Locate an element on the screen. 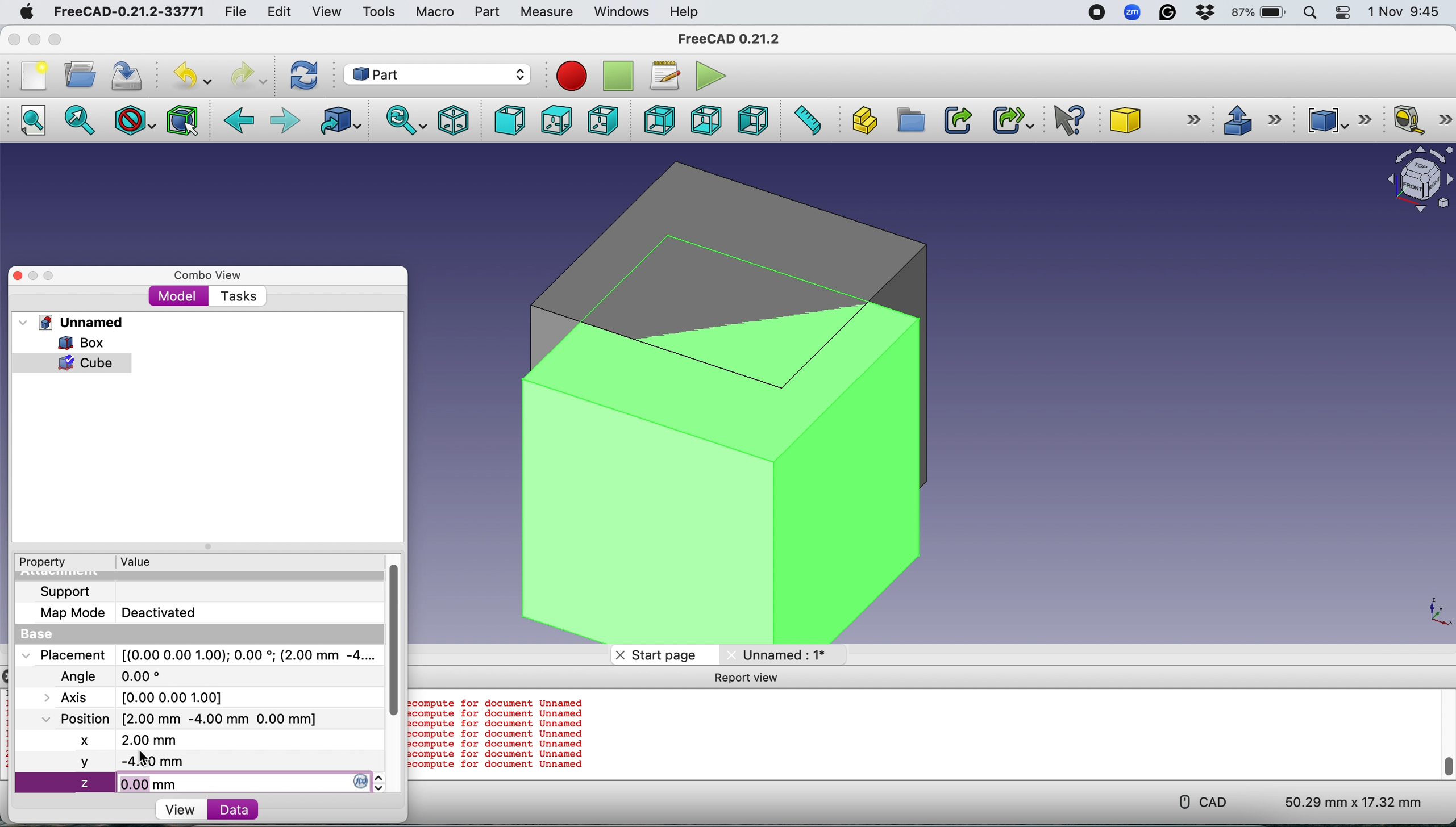 Image resolution: width=1456 pixels, height=827 pixels. Unnamed is located at coordinates (84, 322).